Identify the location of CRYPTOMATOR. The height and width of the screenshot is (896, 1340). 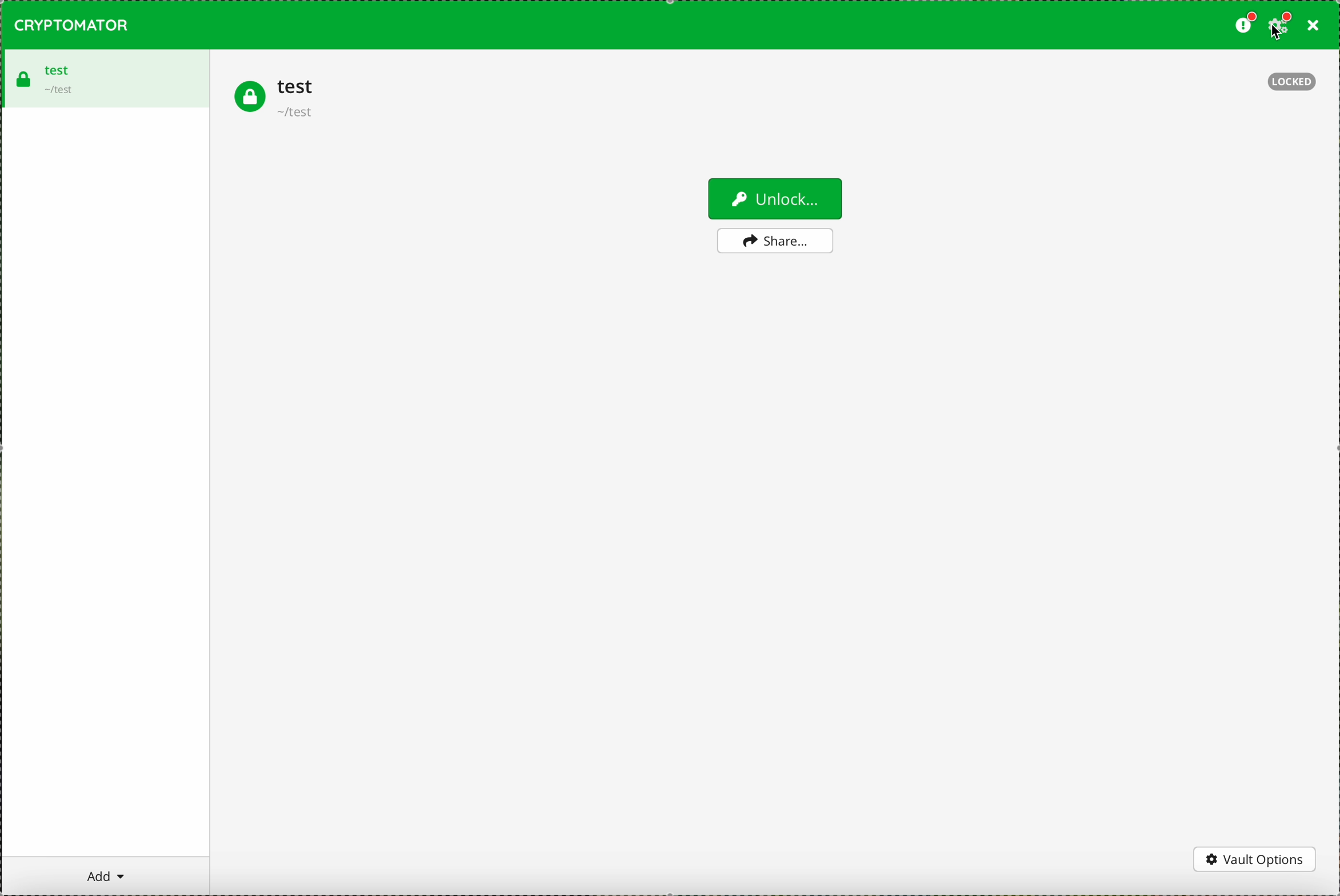
(71, 25).